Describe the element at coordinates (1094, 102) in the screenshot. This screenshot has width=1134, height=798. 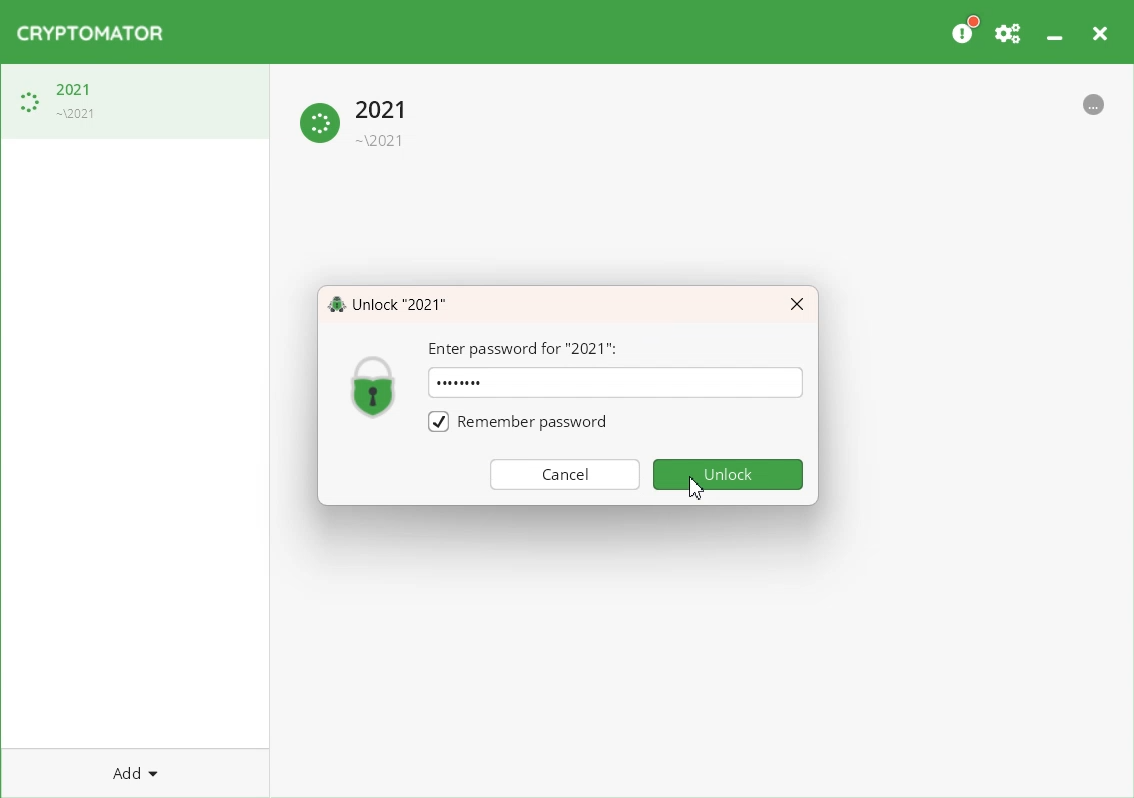
I see `More` at that location.